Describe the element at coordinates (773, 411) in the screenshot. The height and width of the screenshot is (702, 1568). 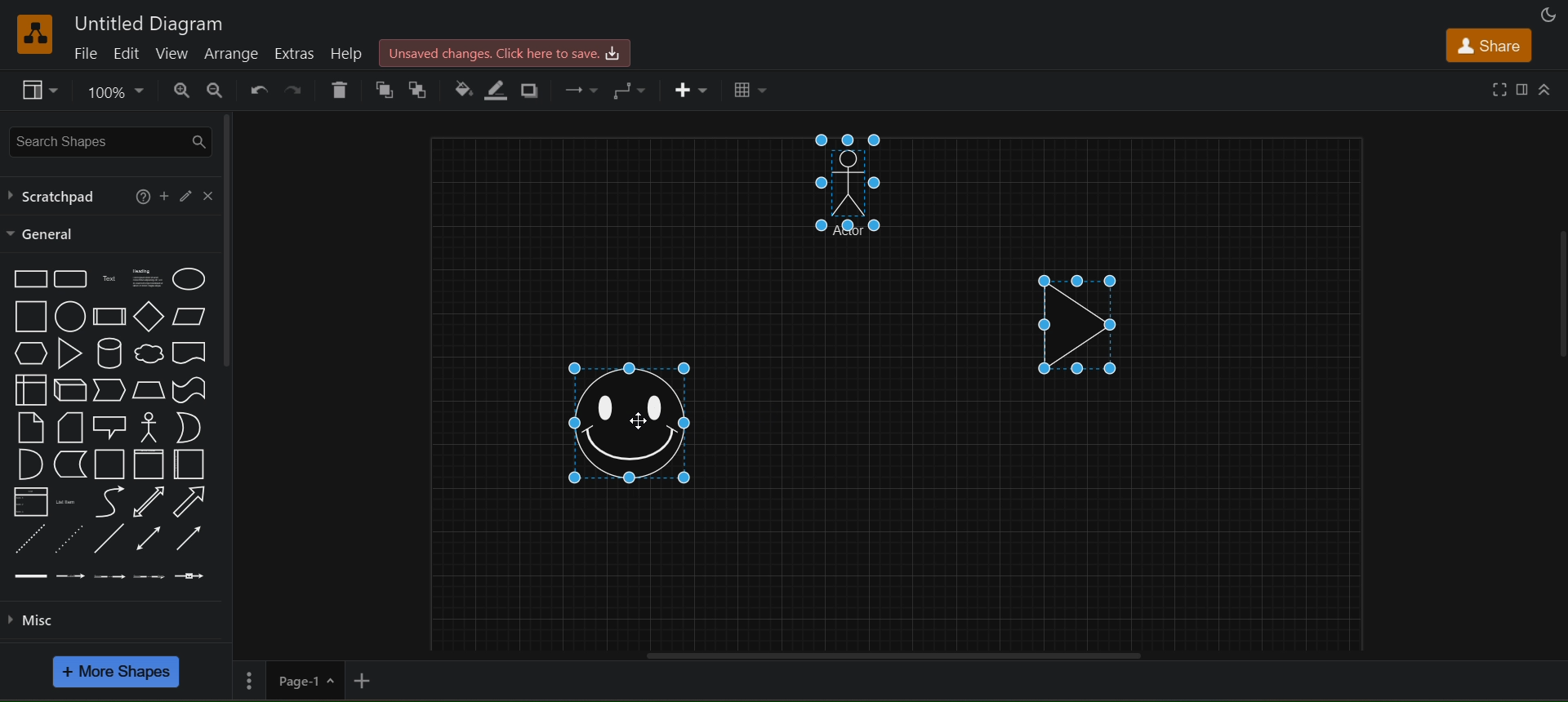
I see `cursor` at that location.